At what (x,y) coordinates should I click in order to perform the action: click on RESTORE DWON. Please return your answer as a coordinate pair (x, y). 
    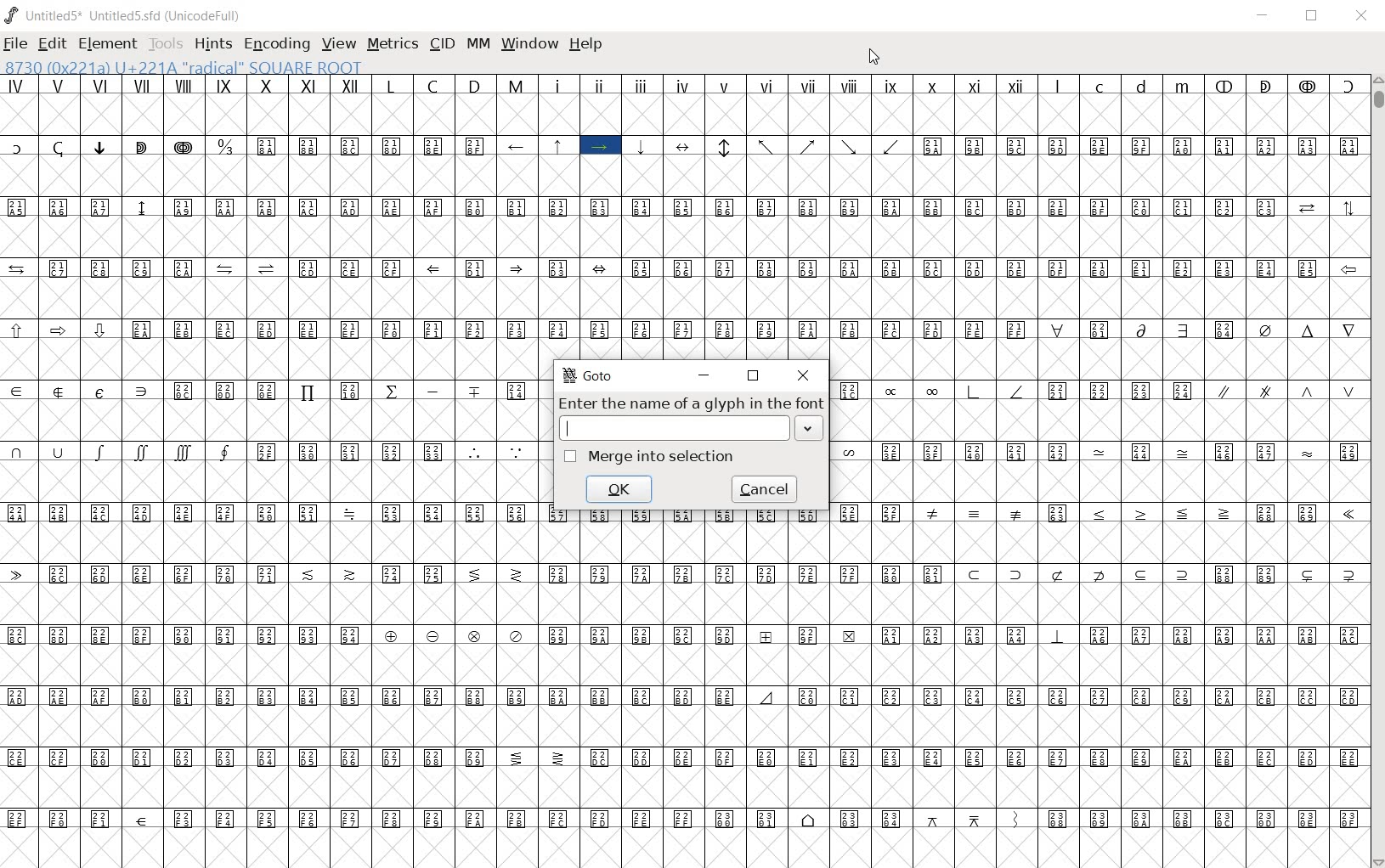
    Looking at the image, I should click on (1312, 17).